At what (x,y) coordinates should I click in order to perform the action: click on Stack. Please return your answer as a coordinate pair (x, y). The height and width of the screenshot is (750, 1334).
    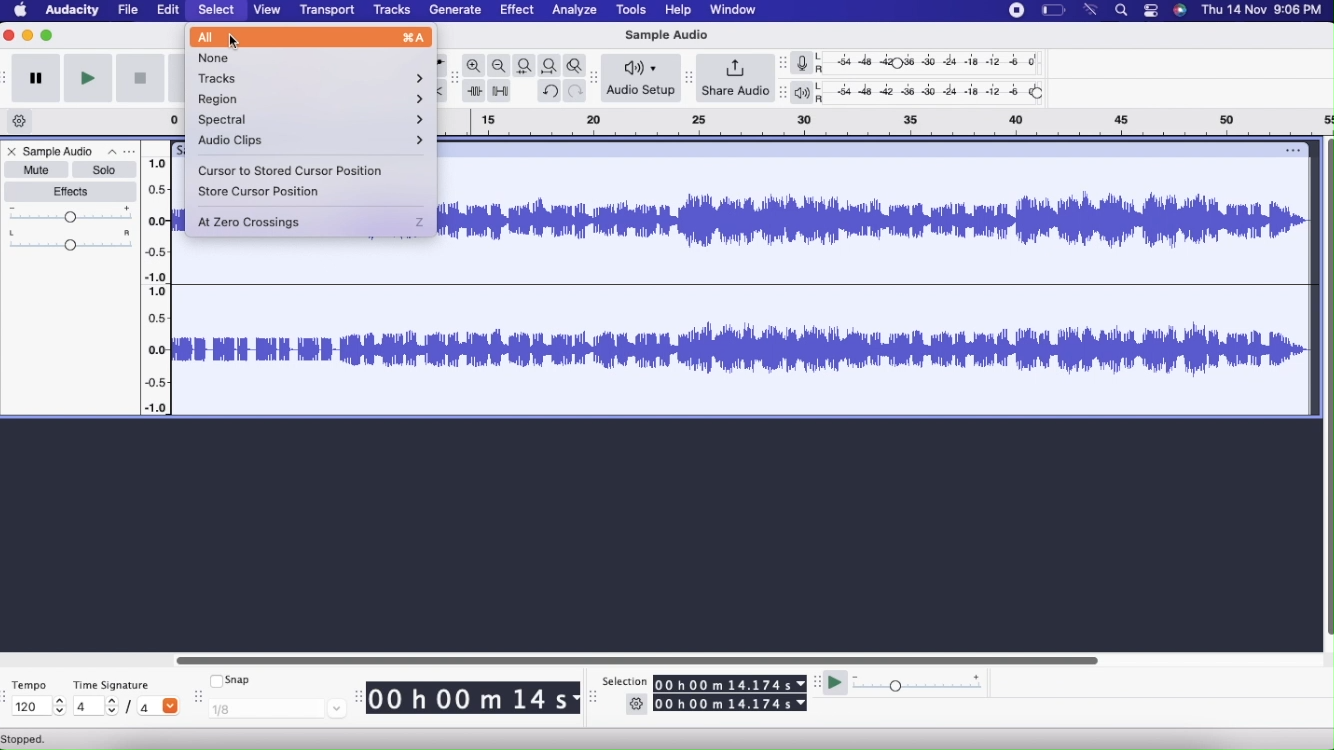
    Looking at the image, I should click on (1154, 11).